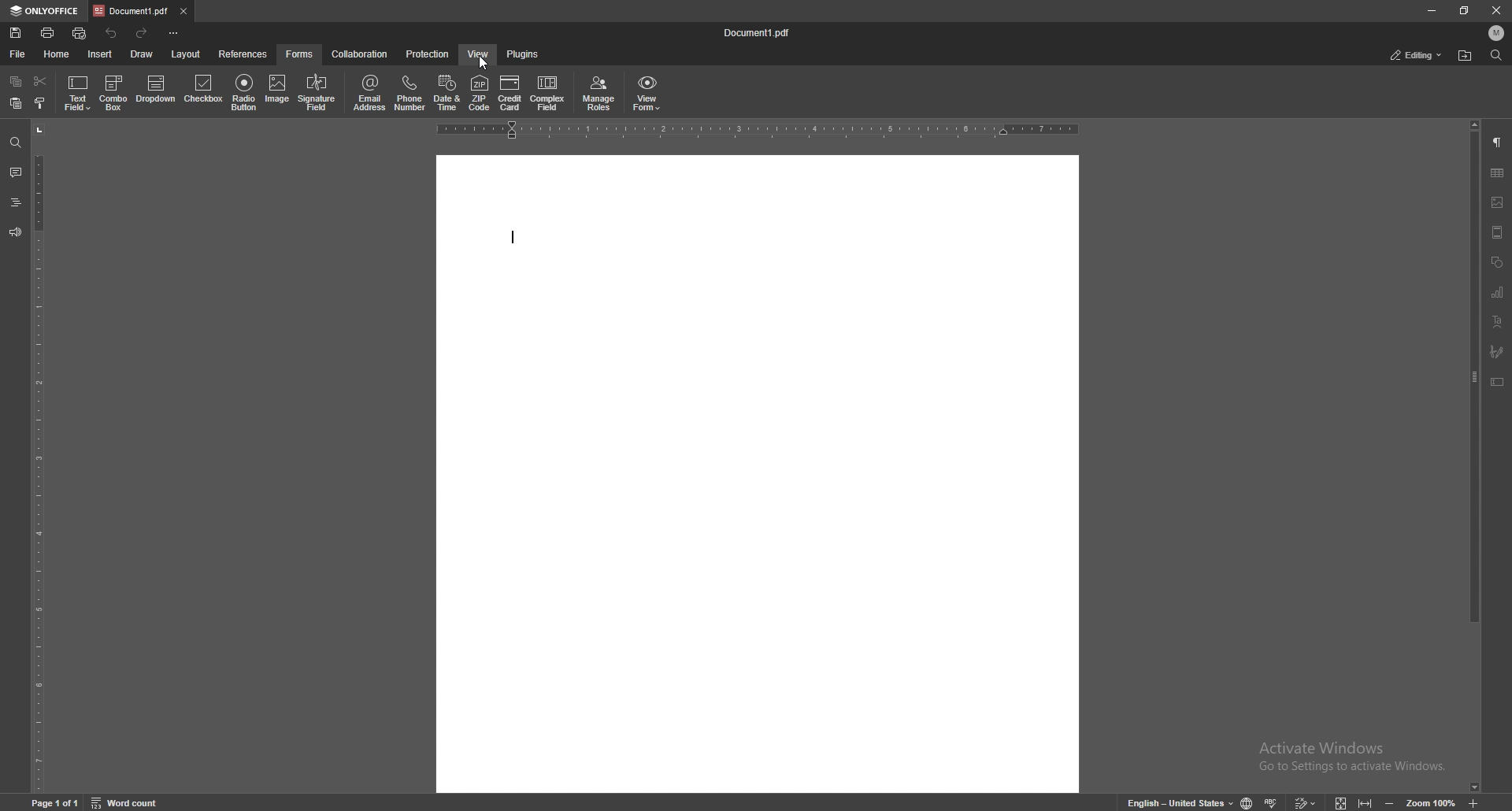 The height and width of the screenshot is (811, 1512). Describe the element at coordinates (15, 232) in the screenshot. I see `feedback` at that location.